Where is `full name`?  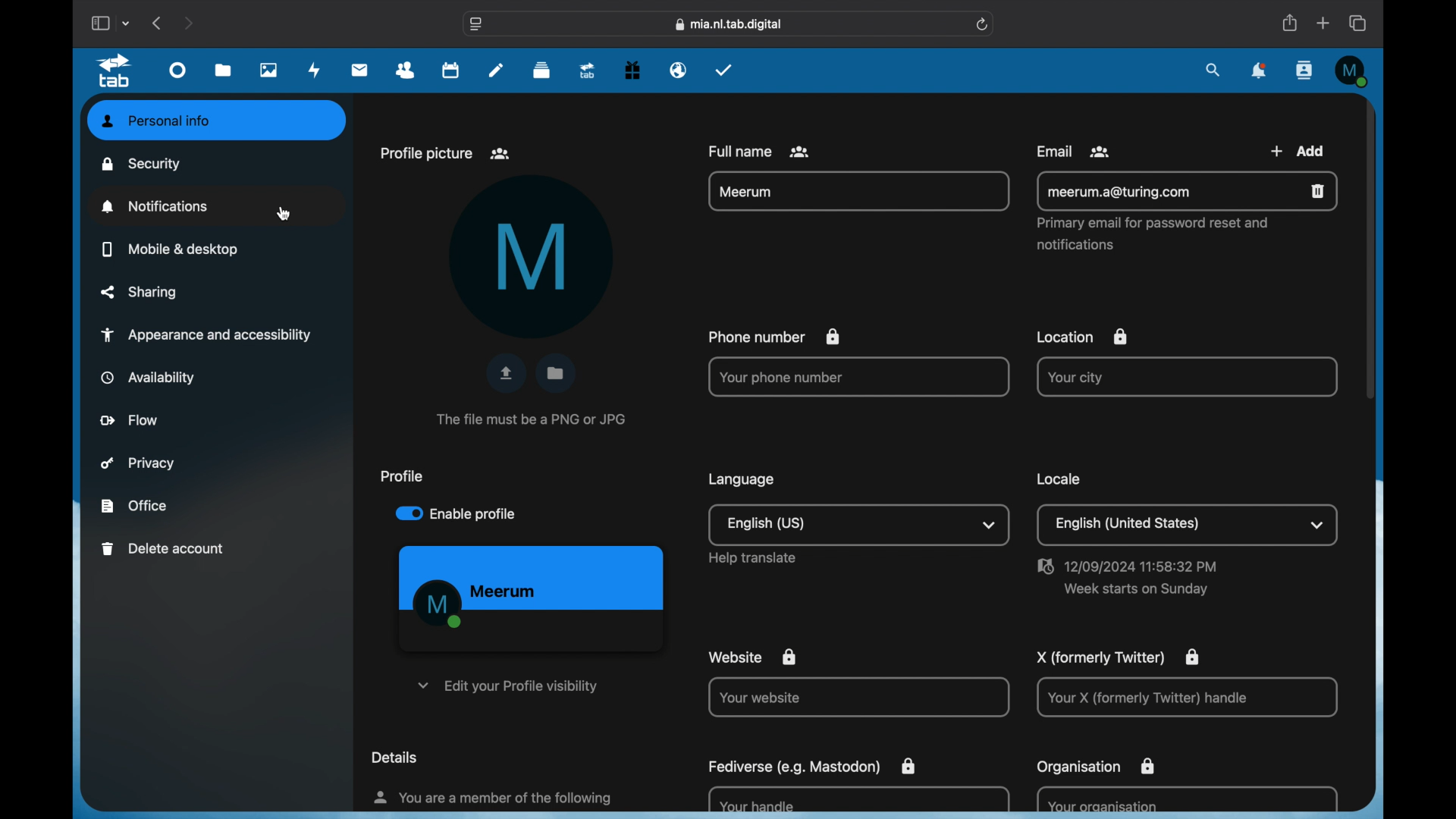 full name is located at coordinates (759, 151).